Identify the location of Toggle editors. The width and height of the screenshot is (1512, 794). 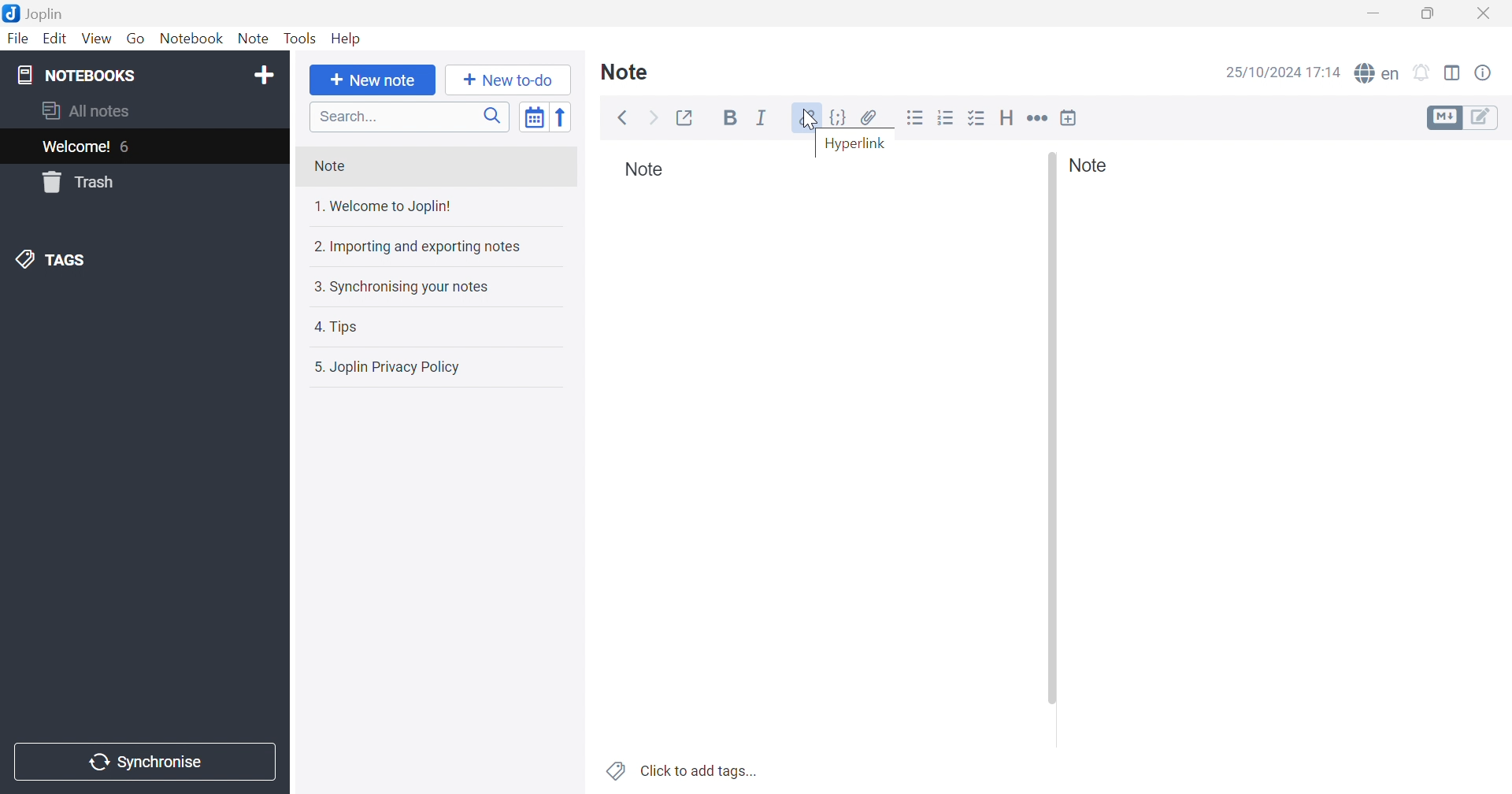
(1444, 117).